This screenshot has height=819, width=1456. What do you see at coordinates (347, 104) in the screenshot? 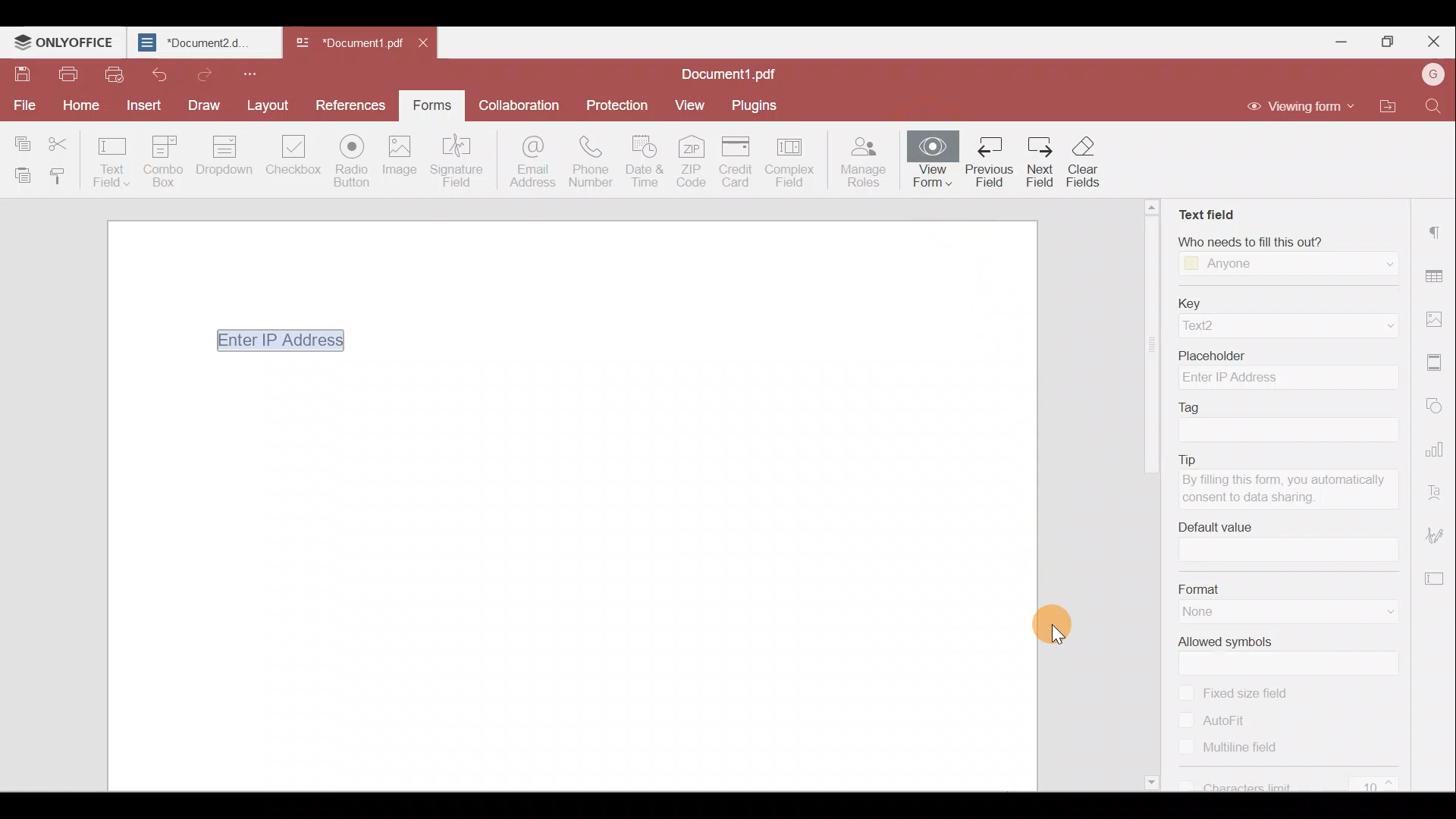
I see `References` at bounding box center [347, 104].